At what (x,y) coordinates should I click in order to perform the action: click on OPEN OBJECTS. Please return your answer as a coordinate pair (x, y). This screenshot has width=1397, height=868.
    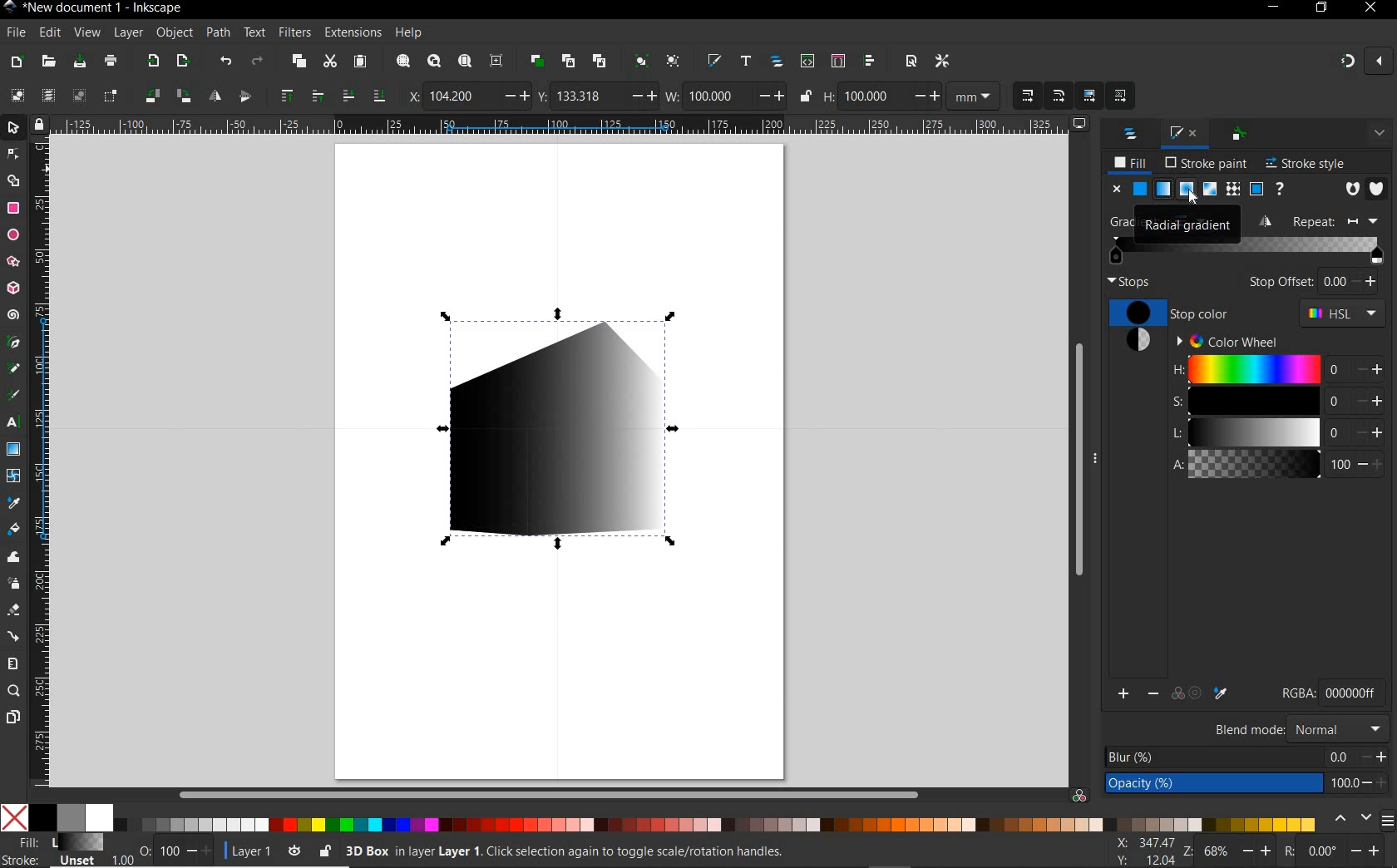
    Looking at the image, I should click on (778, 63).